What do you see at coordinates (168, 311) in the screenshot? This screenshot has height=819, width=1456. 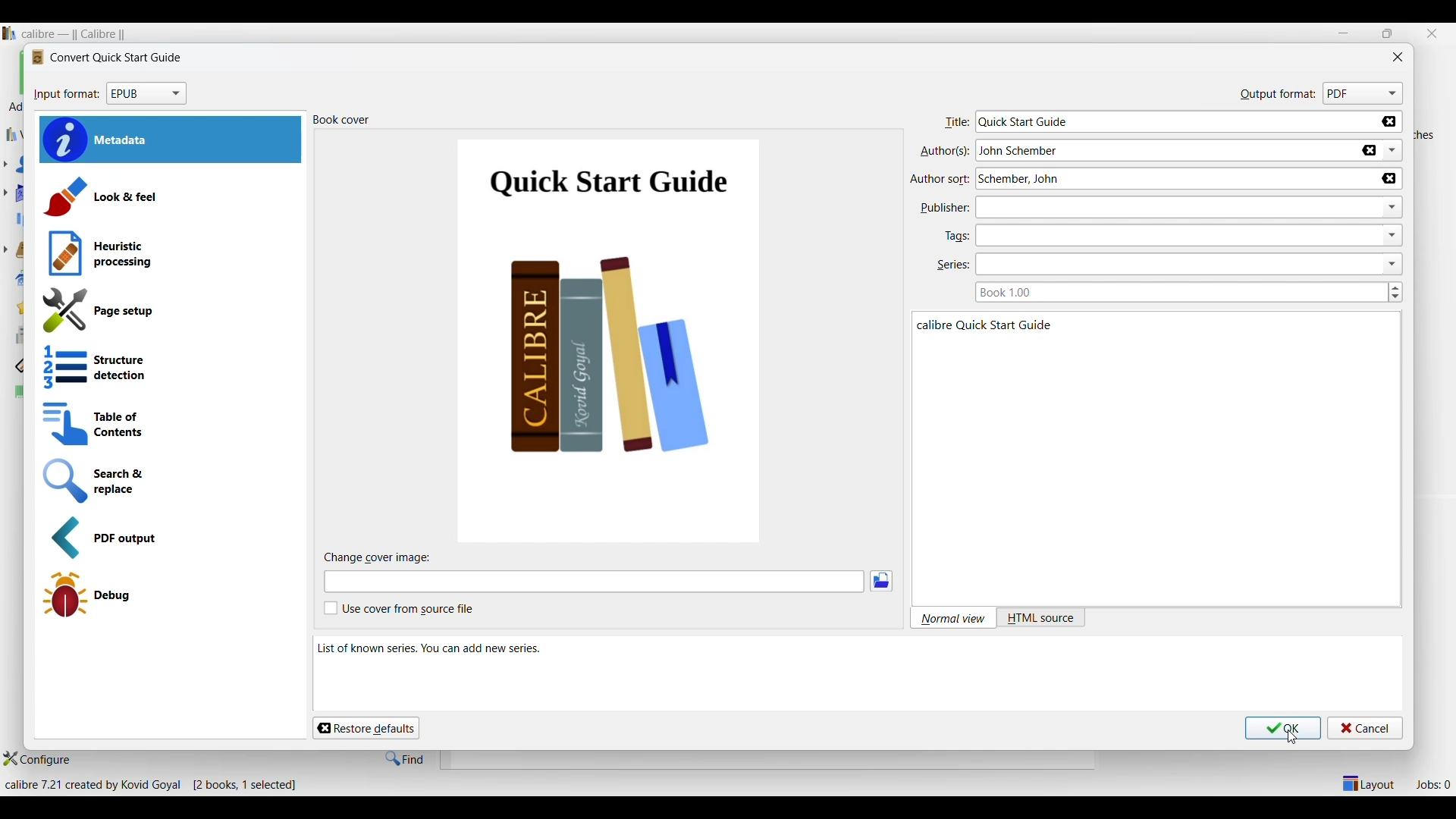 I see `Page setup` at bounding box center [168, 311].